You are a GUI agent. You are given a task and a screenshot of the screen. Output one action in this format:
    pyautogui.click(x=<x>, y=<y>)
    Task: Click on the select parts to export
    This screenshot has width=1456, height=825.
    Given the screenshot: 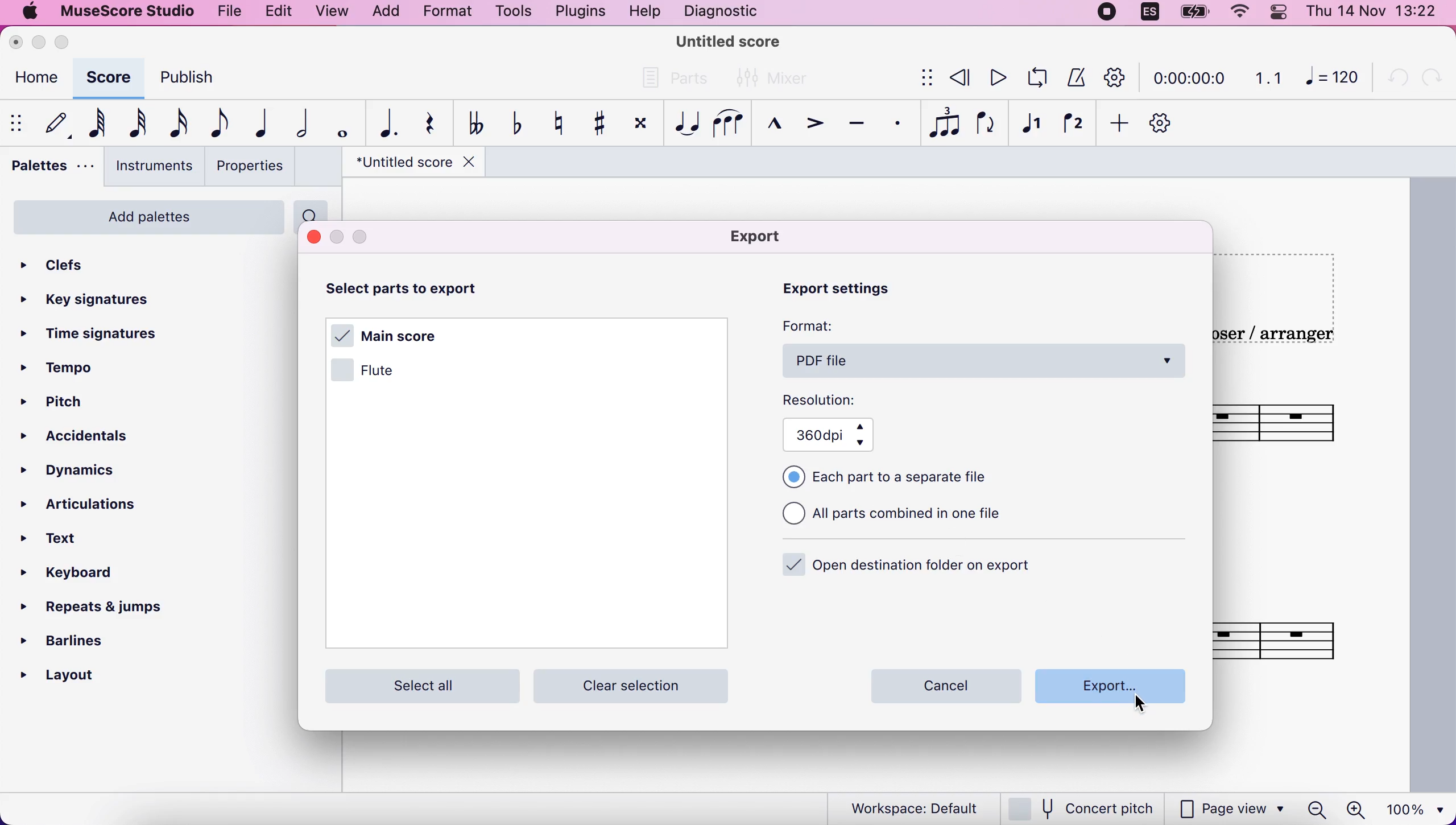 What is the action you would take?
    pyautogui.click(x=427, y=290)
    